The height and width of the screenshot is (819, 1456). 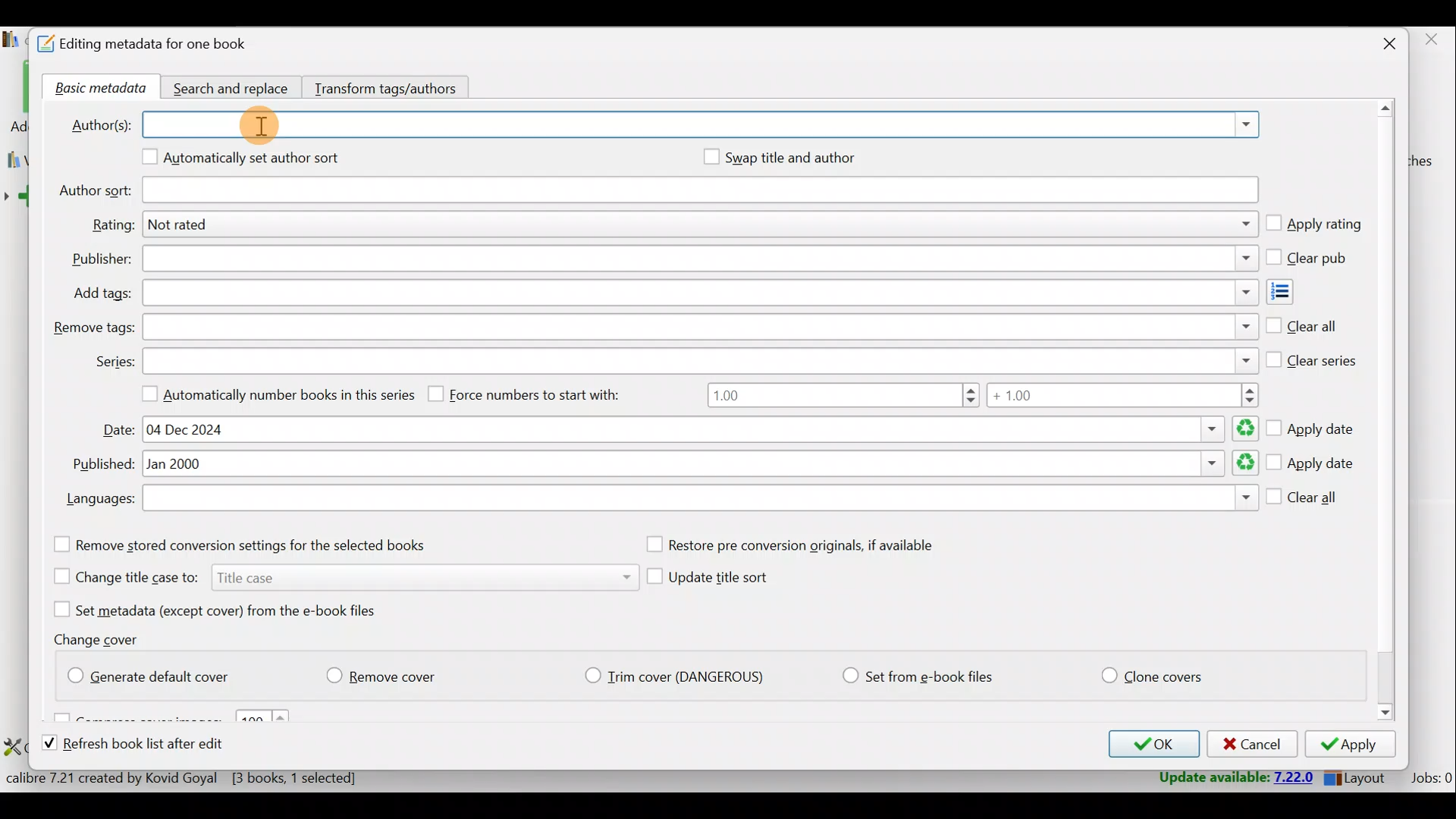 I want to click on Remove tags:, so click(x=93, y=328).